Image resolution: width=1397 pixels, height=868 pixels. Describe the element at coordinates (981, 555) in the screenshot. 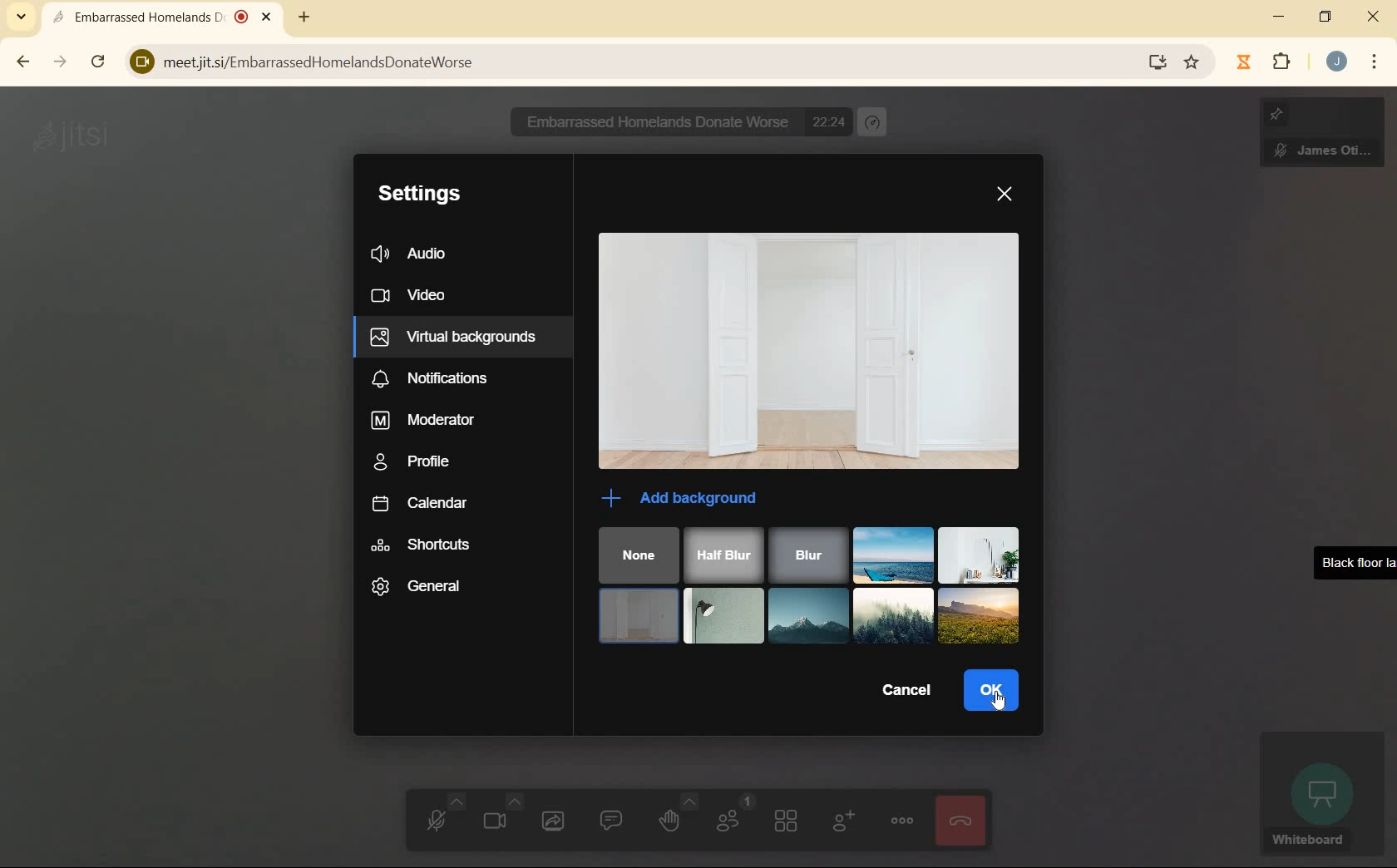

I see `white neutral wall` at that location.